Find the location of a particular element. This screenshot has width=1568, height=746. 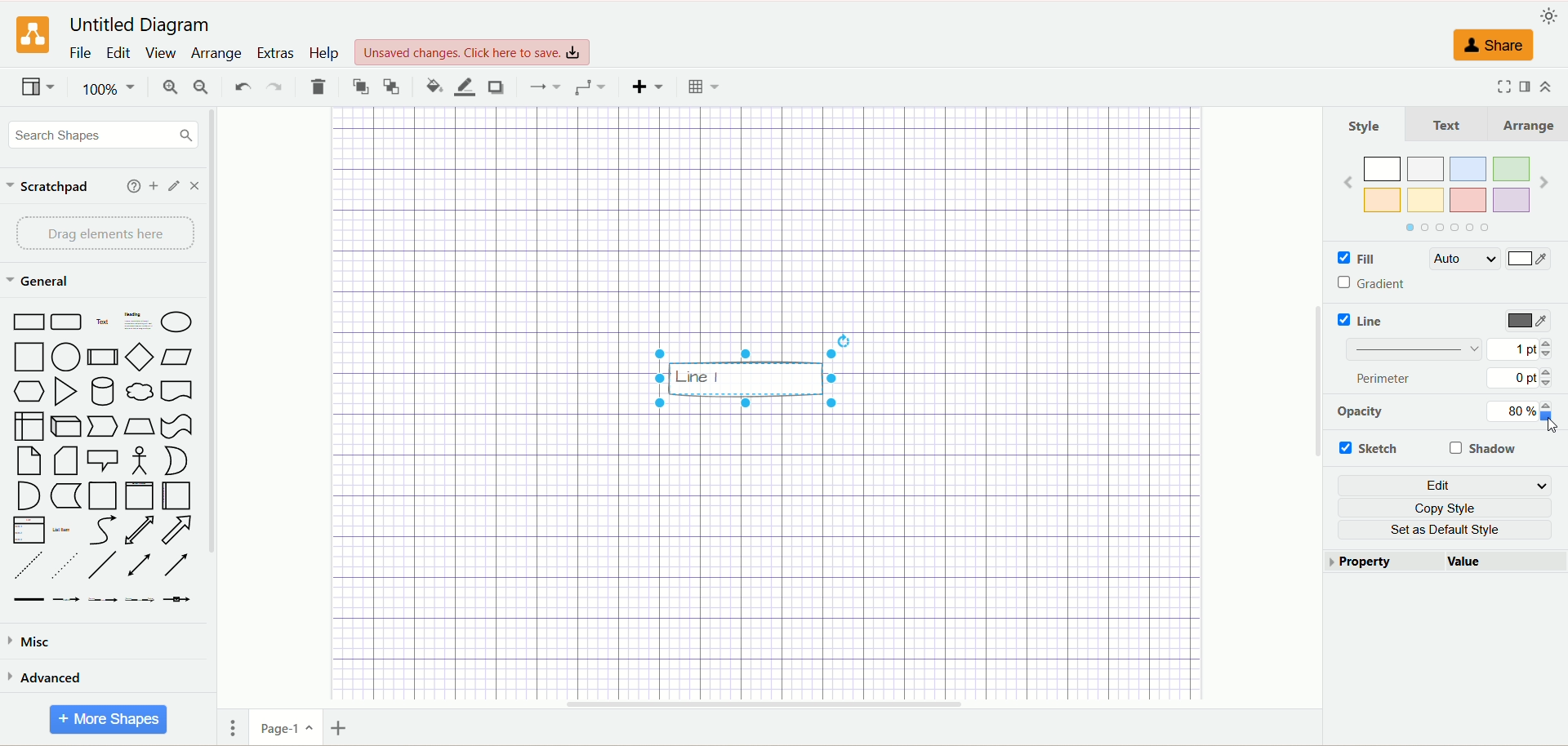

waypoint is located at coordinates (589, 87).